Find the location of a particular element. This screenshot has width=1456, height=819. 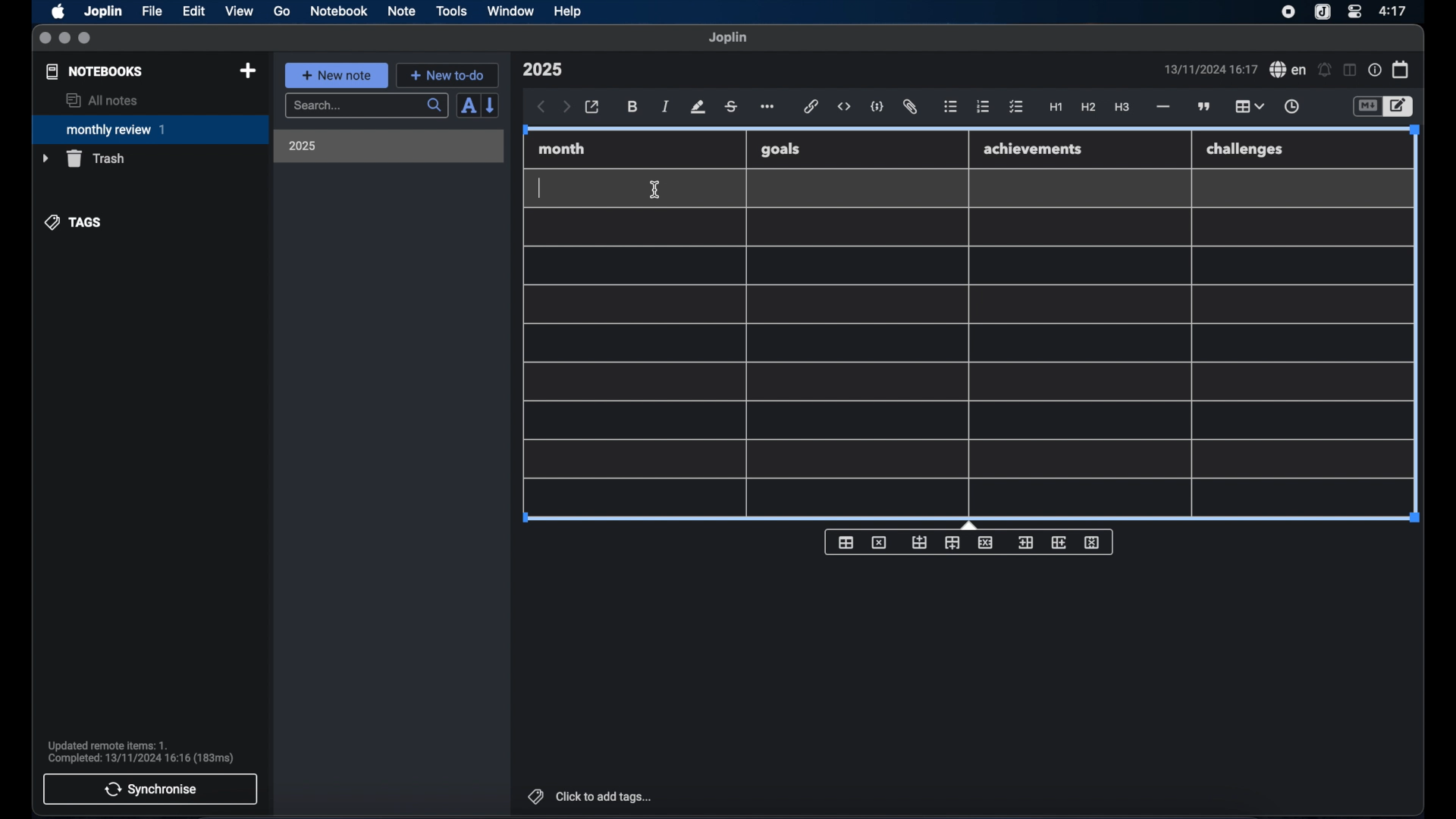

tools is located at coordinates (451, 11).